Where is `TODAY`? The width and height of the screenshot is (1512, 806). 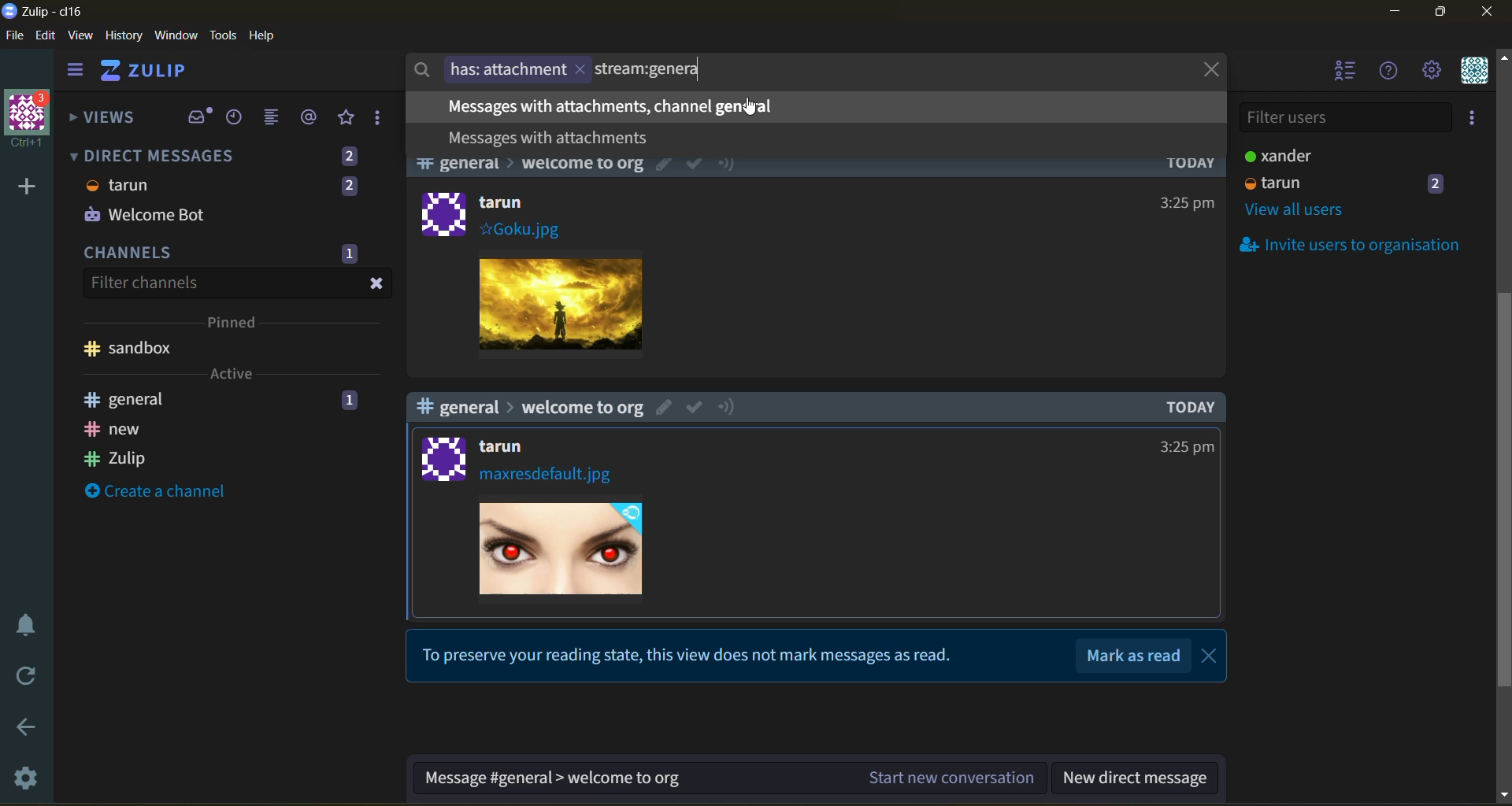 TODAY is located at coordinates (1192, 120).